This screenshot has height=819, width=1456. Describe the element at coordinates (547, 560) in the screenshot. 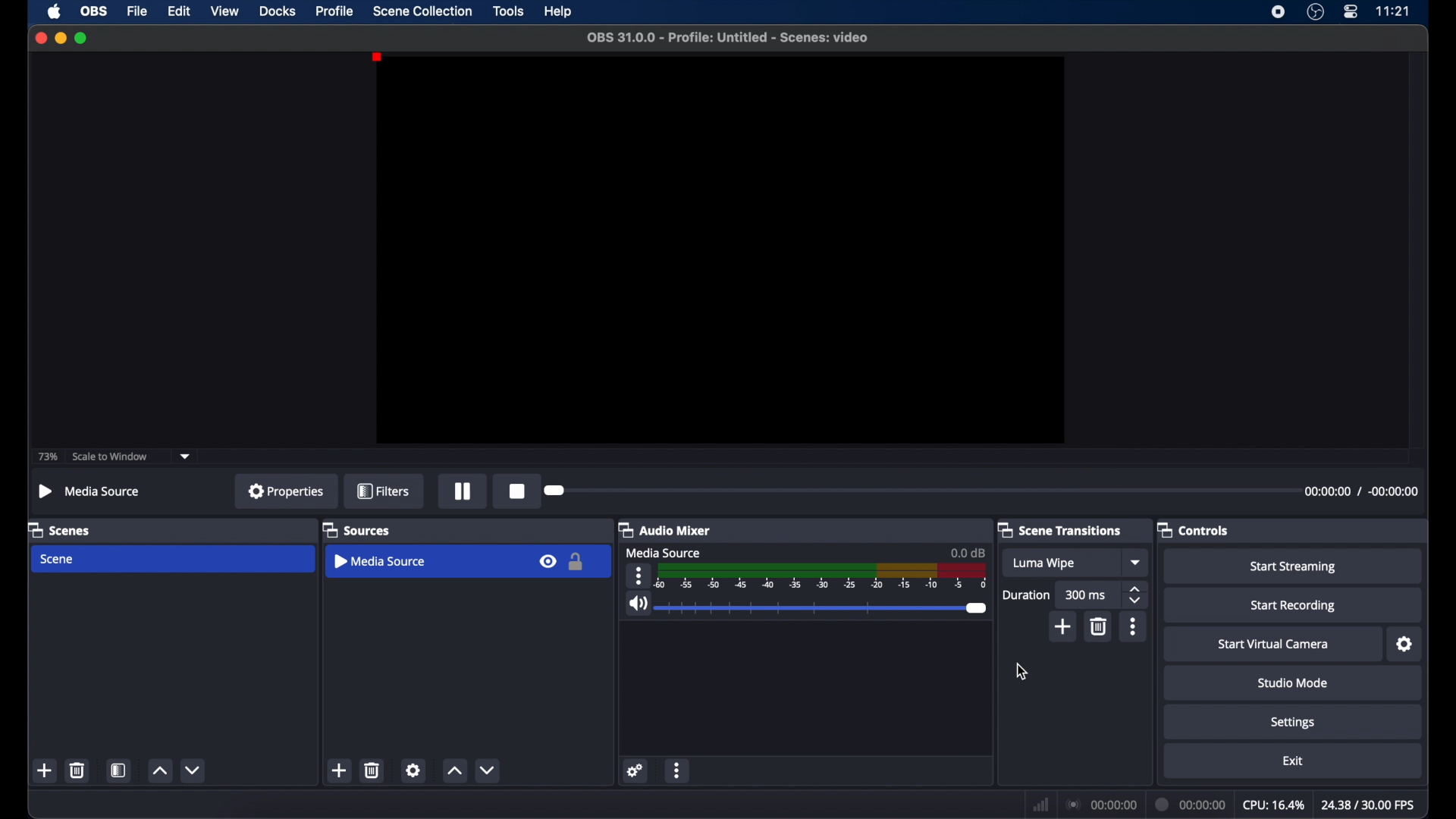

I see `visibility` at that location.